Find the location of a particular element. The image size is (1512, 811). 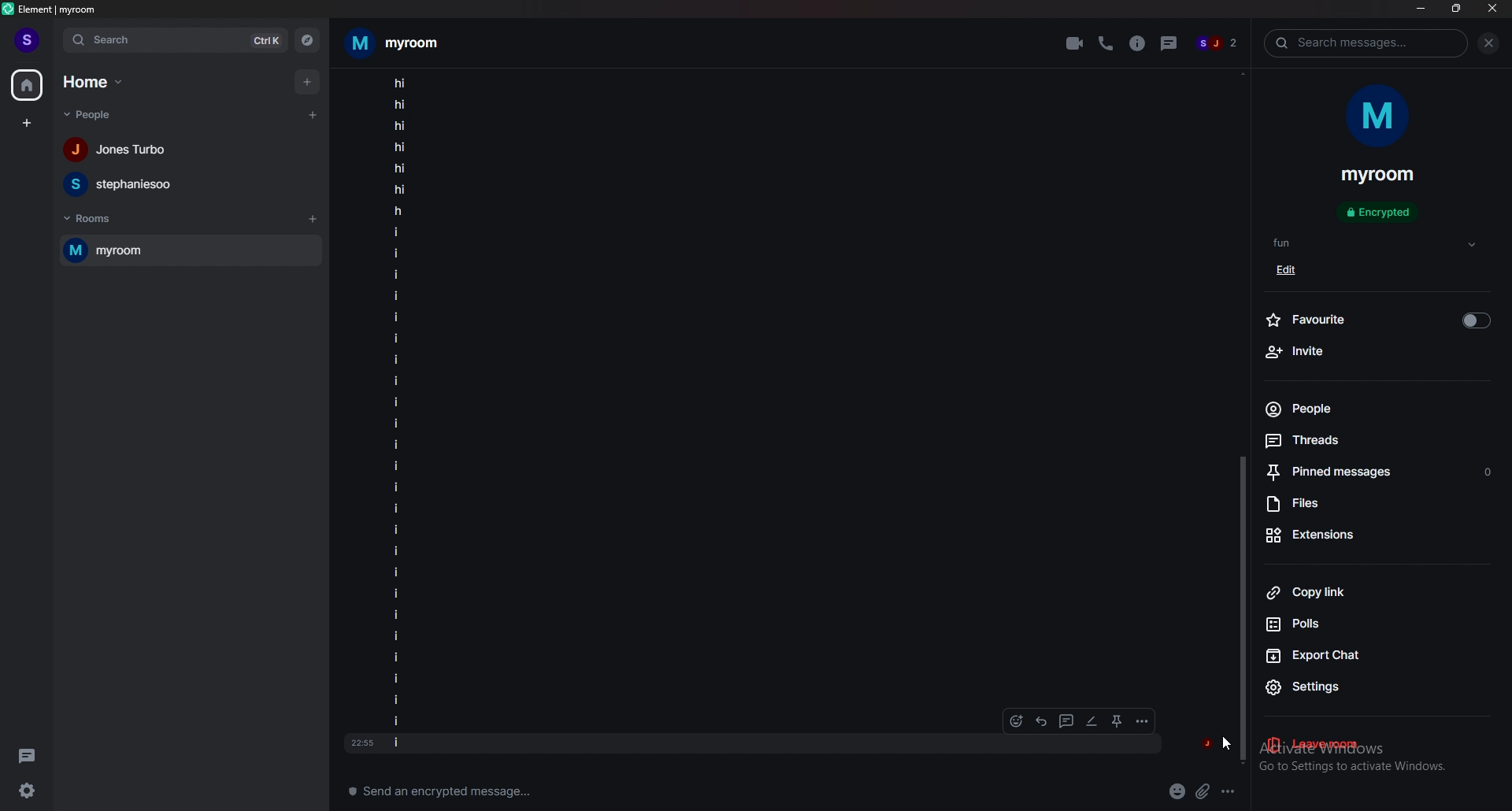

react is located at coordinates (1016, 722).